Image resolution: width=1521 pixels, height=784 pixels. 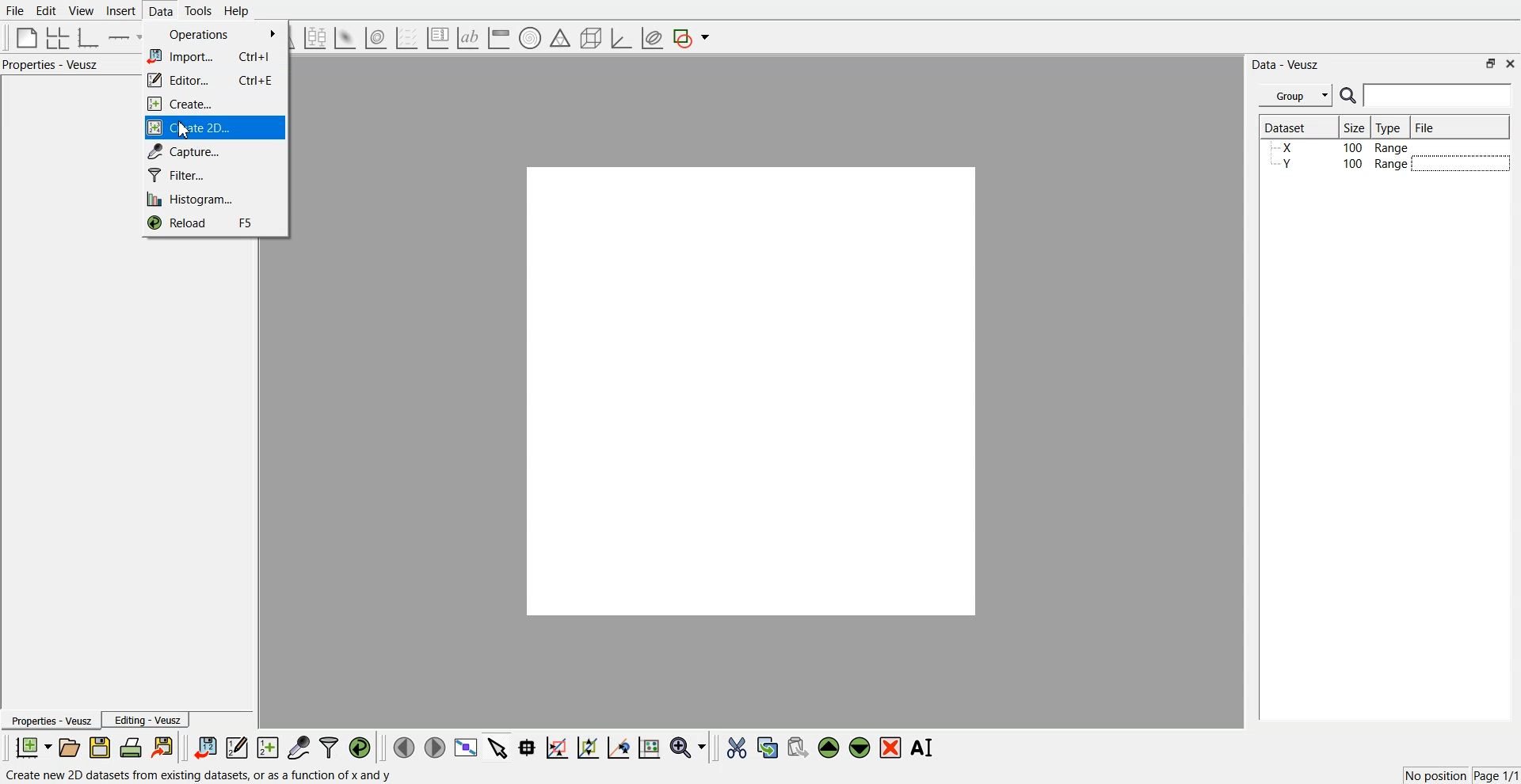 I want to click on 3D Scene, so click(x=592, y=39).